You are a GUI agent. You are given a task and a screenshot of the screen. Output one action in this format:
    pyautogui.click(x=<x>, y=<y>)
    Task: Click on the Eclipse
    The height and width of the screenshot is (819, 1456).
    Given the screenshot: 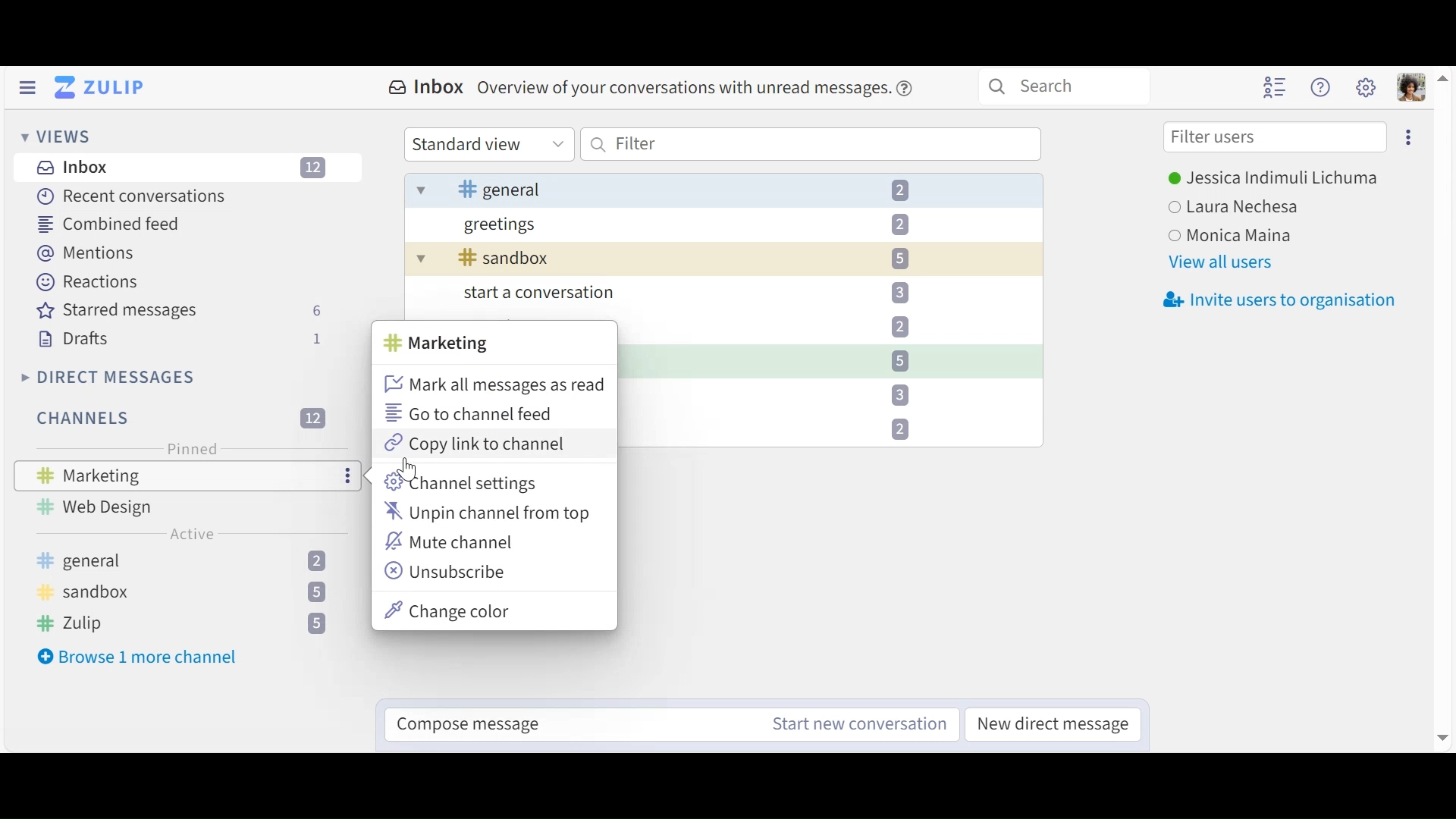 What is the action you would take?
    pyautogui.click(x=1407, y=136)
    